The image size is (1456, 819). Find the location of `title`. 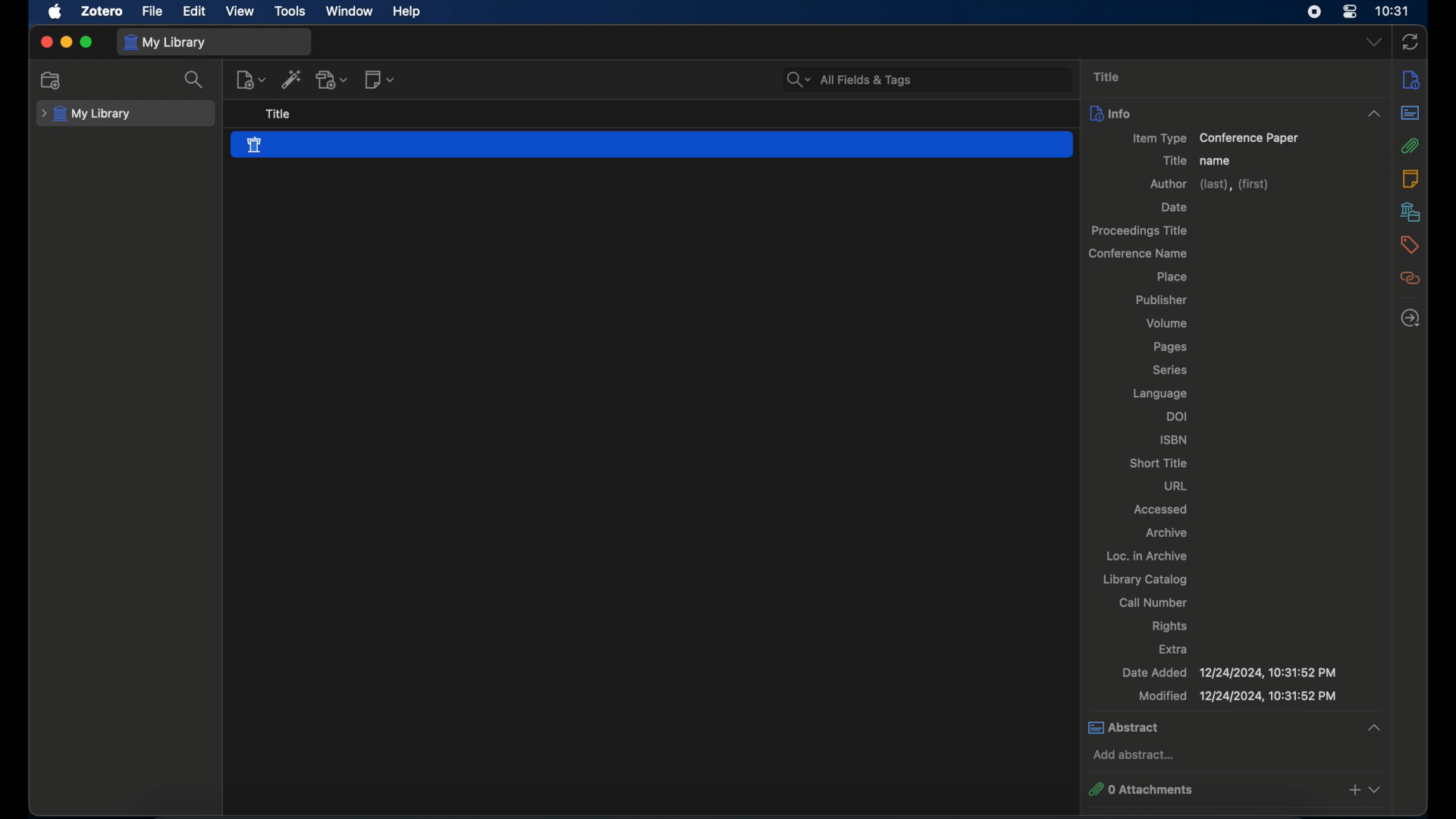

title is located at coordinates (279, 113).